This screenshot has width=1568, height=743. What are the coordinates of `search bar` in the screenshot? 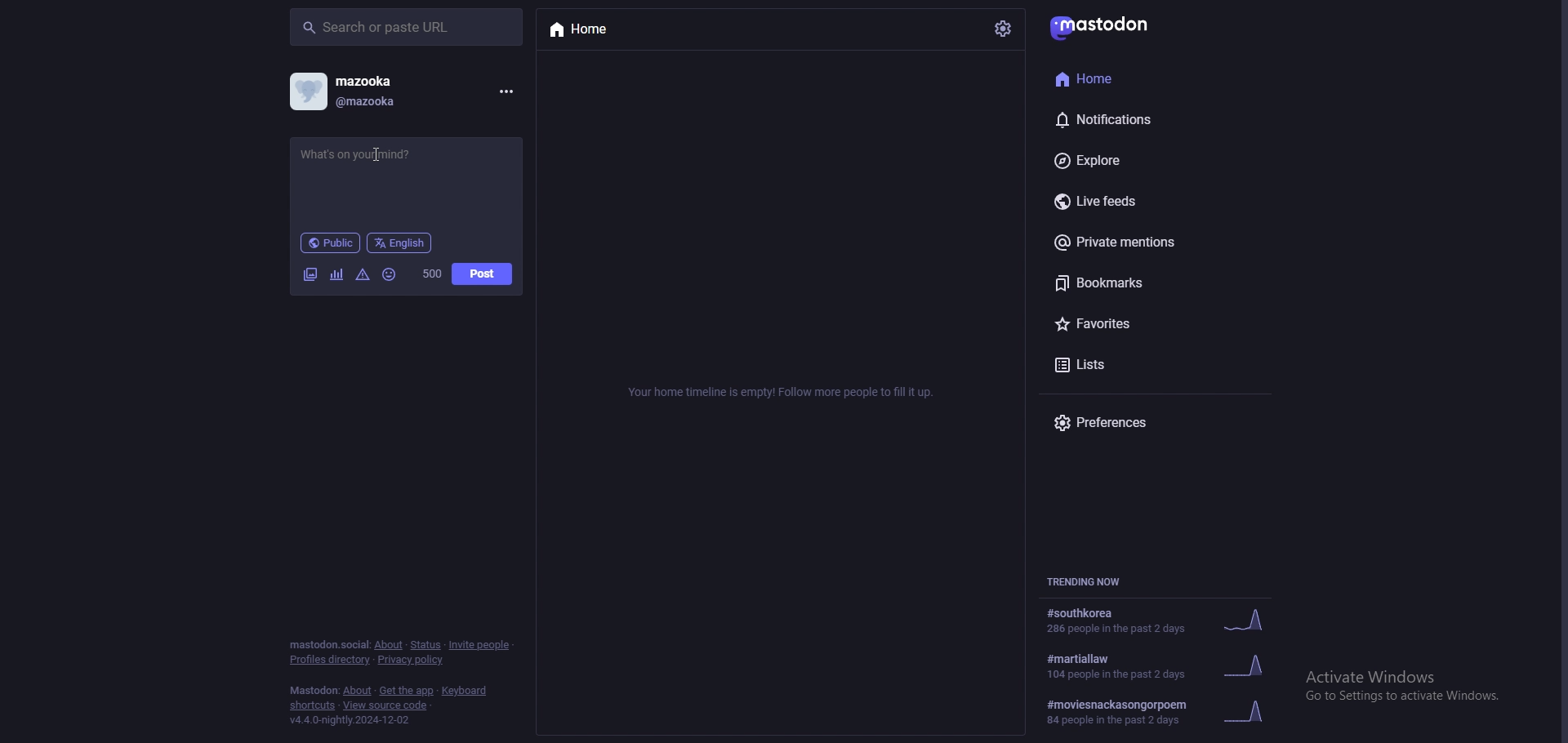 It's located at (408, 26).